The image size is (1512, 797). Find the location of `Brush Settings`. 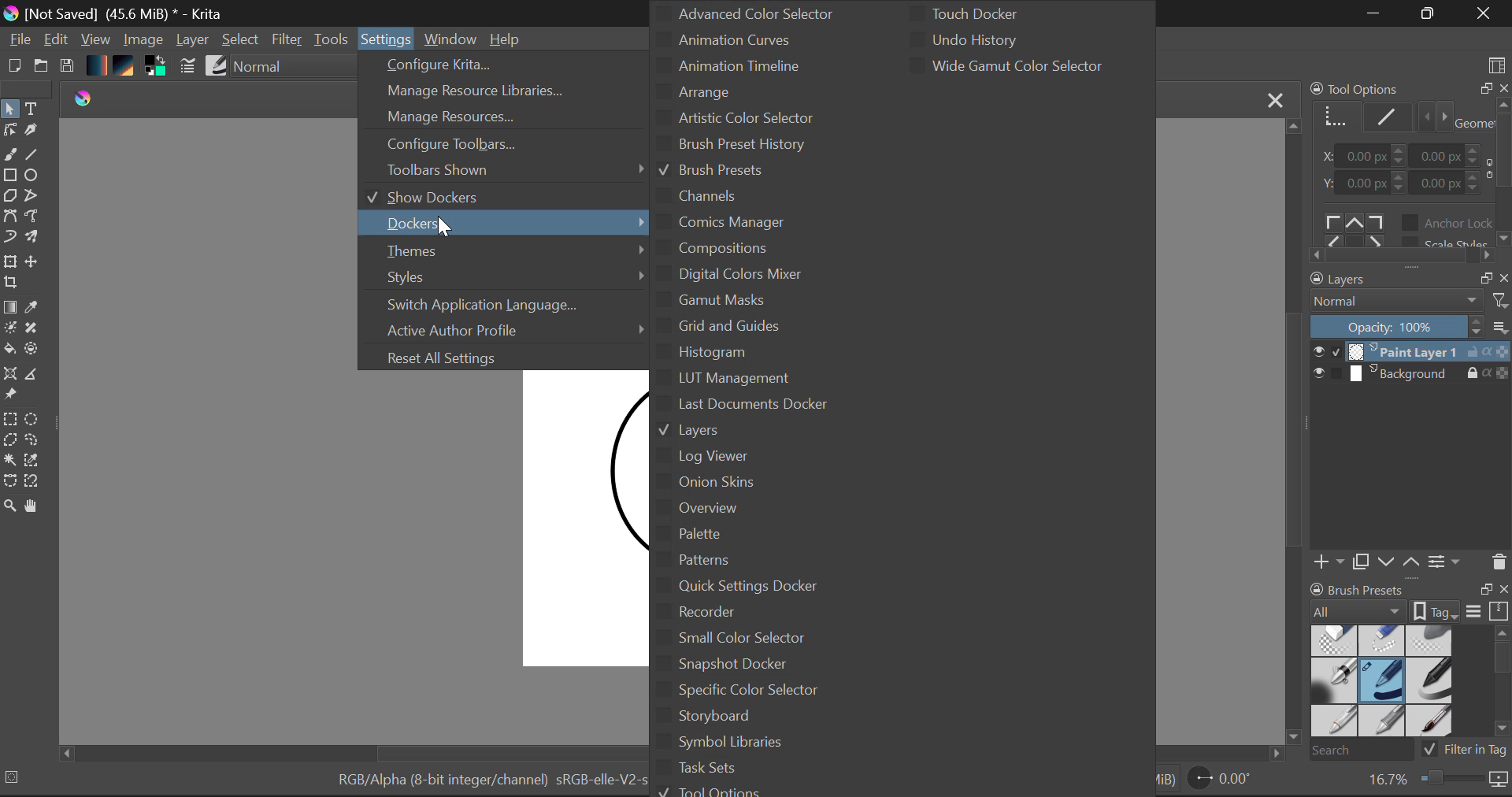

Brush Settings is located at coordinates (187, 67).